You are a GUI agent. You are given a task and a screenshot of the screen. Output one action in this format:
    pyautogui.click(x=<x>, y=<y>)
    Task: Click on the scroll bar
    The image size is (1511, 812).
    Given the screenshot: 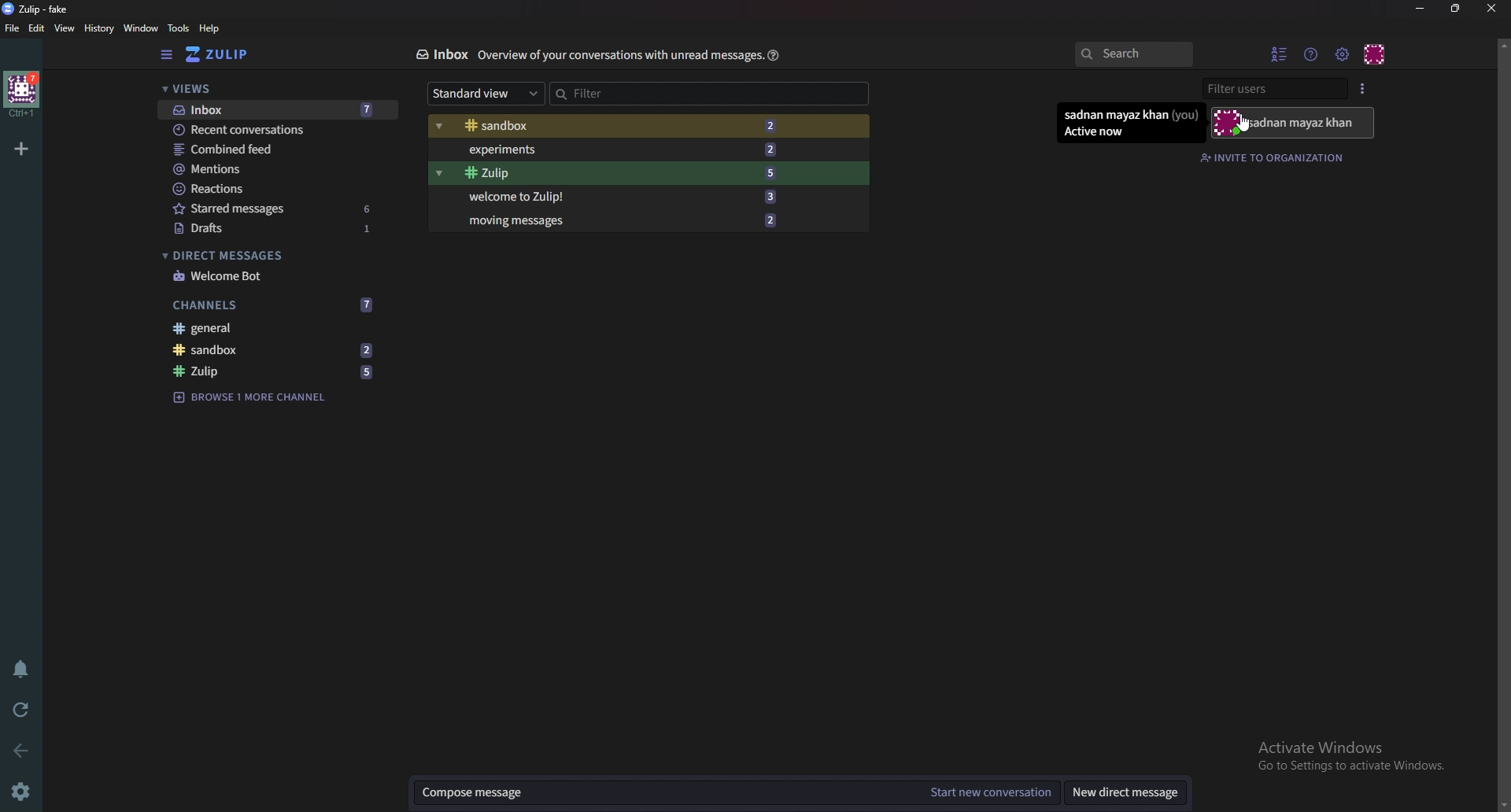 What is the action you would take?
    pyautogui.click(x=1502, y=423)
    